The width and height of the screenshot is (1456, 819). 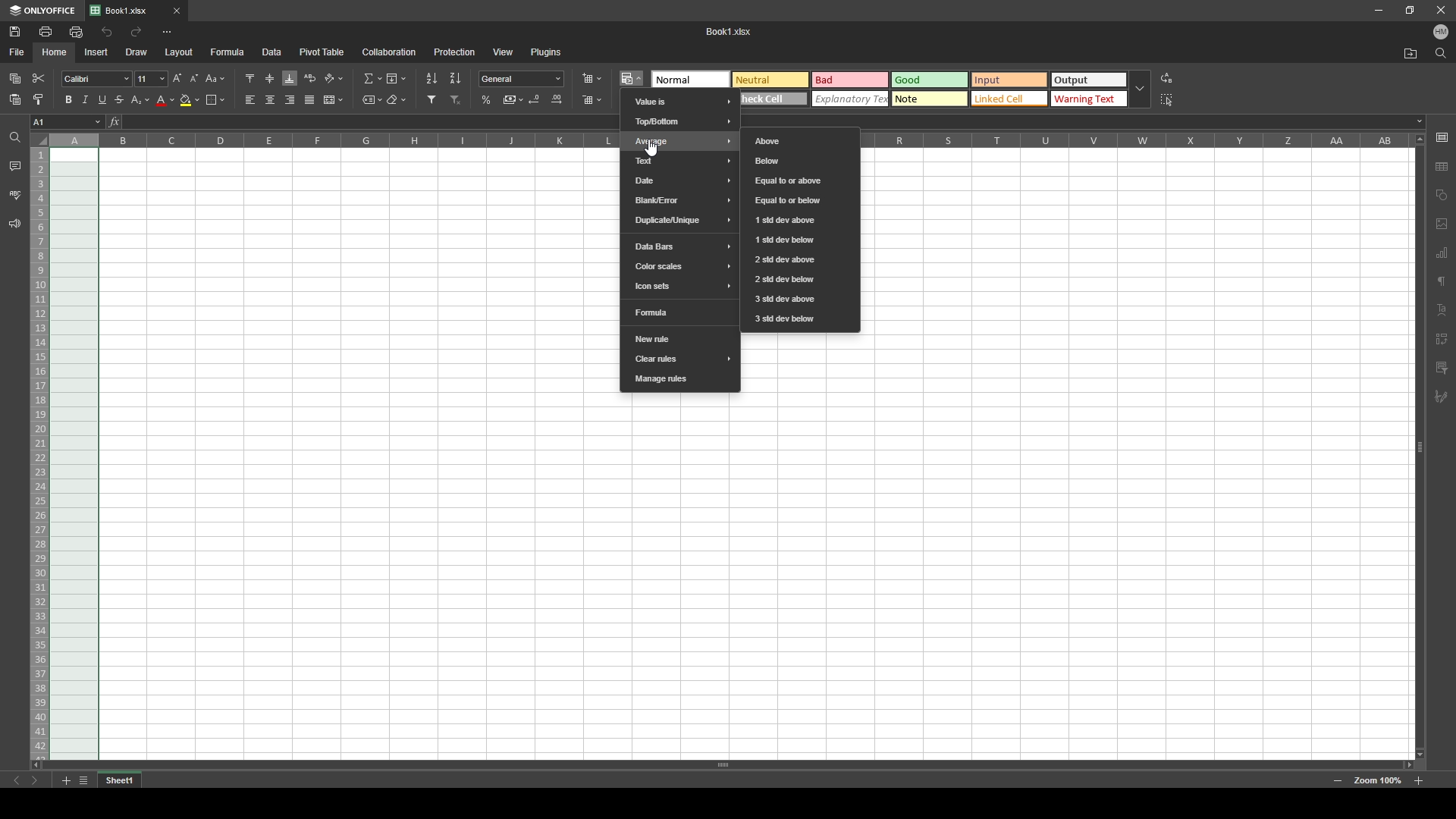 I want to click on align middle, so click(x=271, y=79).